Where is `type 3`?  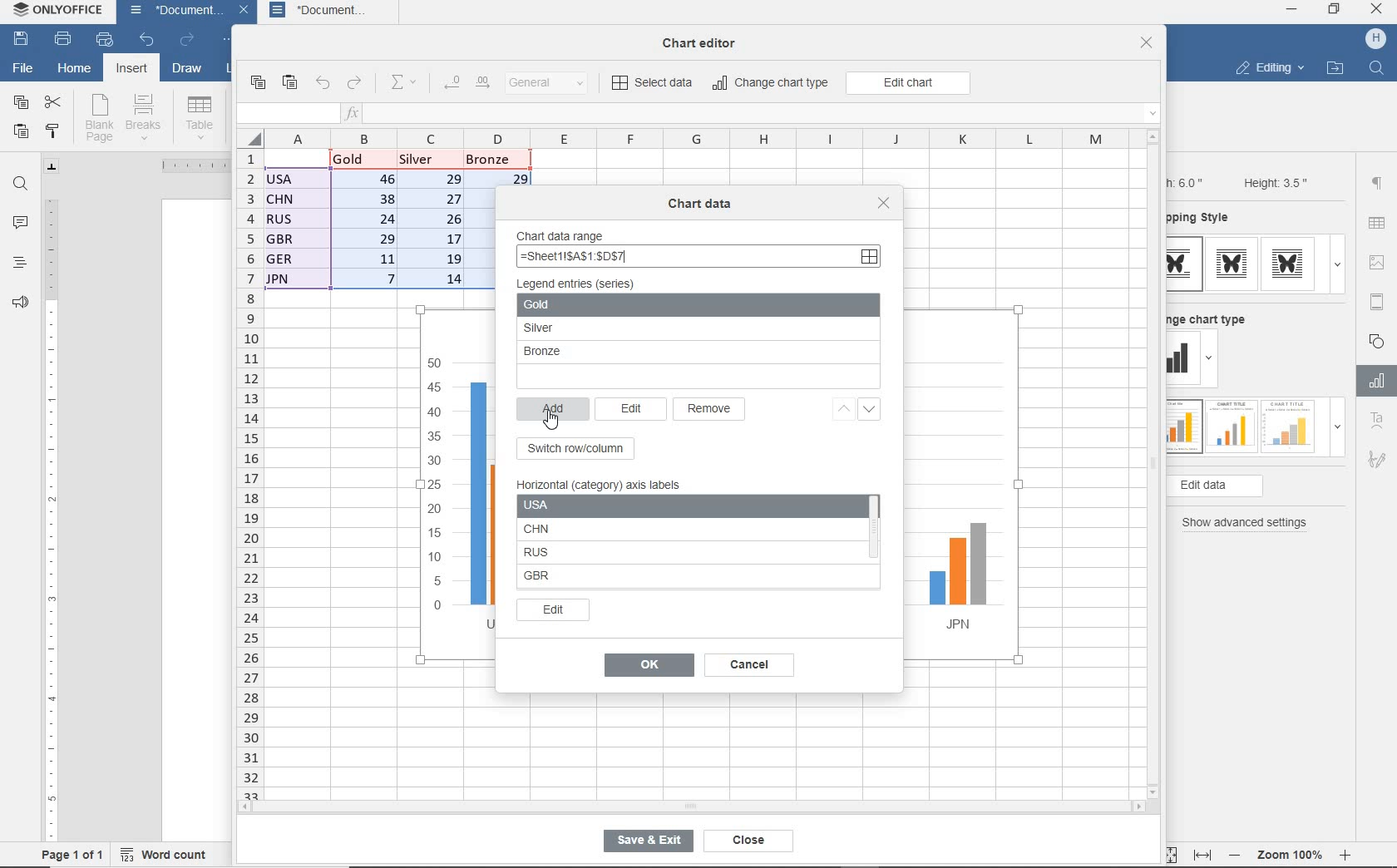
type 3 is located at coordinates (1292, 264).